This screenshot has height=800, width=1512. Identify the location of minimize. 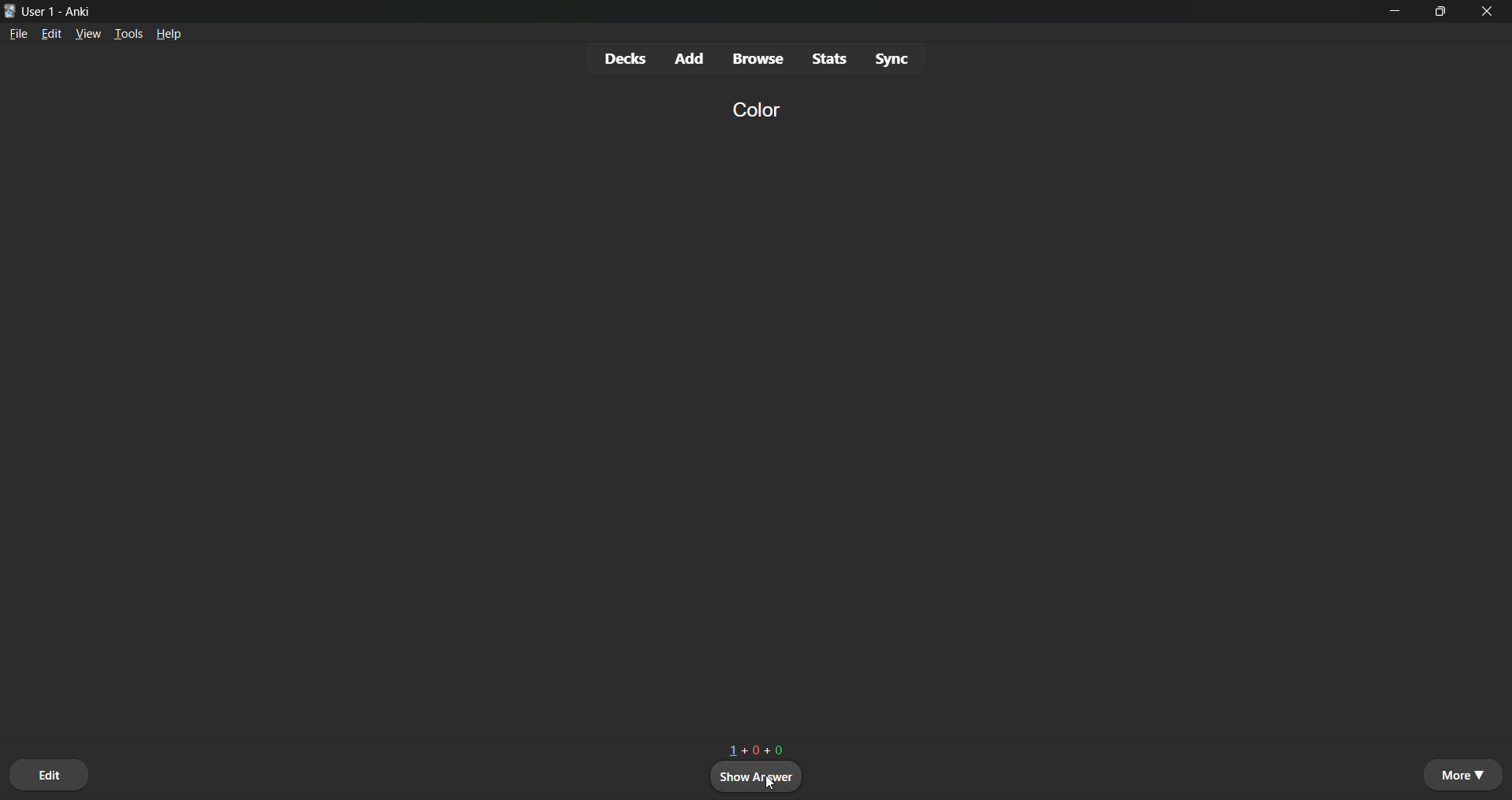
(1397, 17).